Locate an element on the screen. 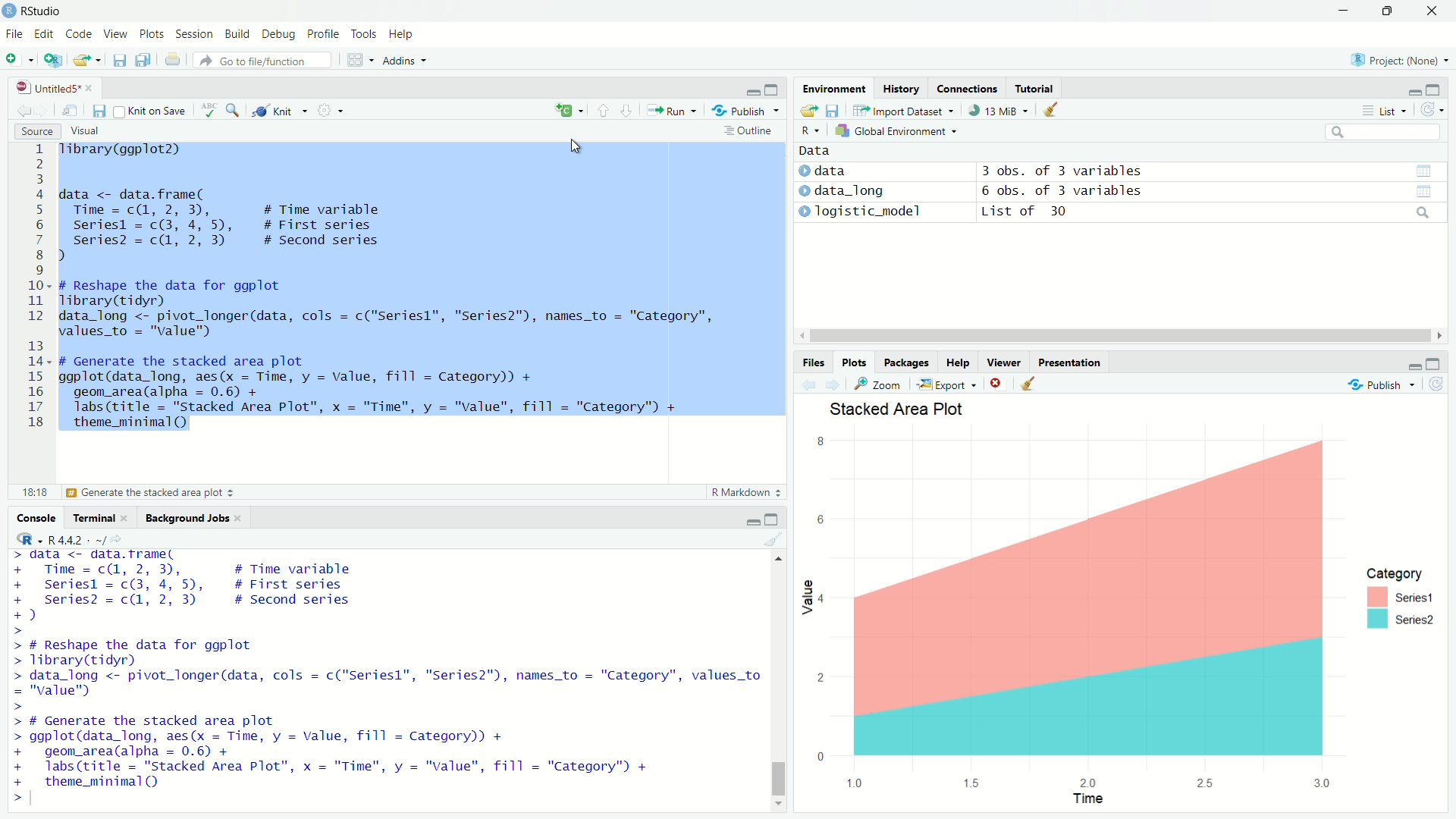  add script is located at coordinates (56, 61).